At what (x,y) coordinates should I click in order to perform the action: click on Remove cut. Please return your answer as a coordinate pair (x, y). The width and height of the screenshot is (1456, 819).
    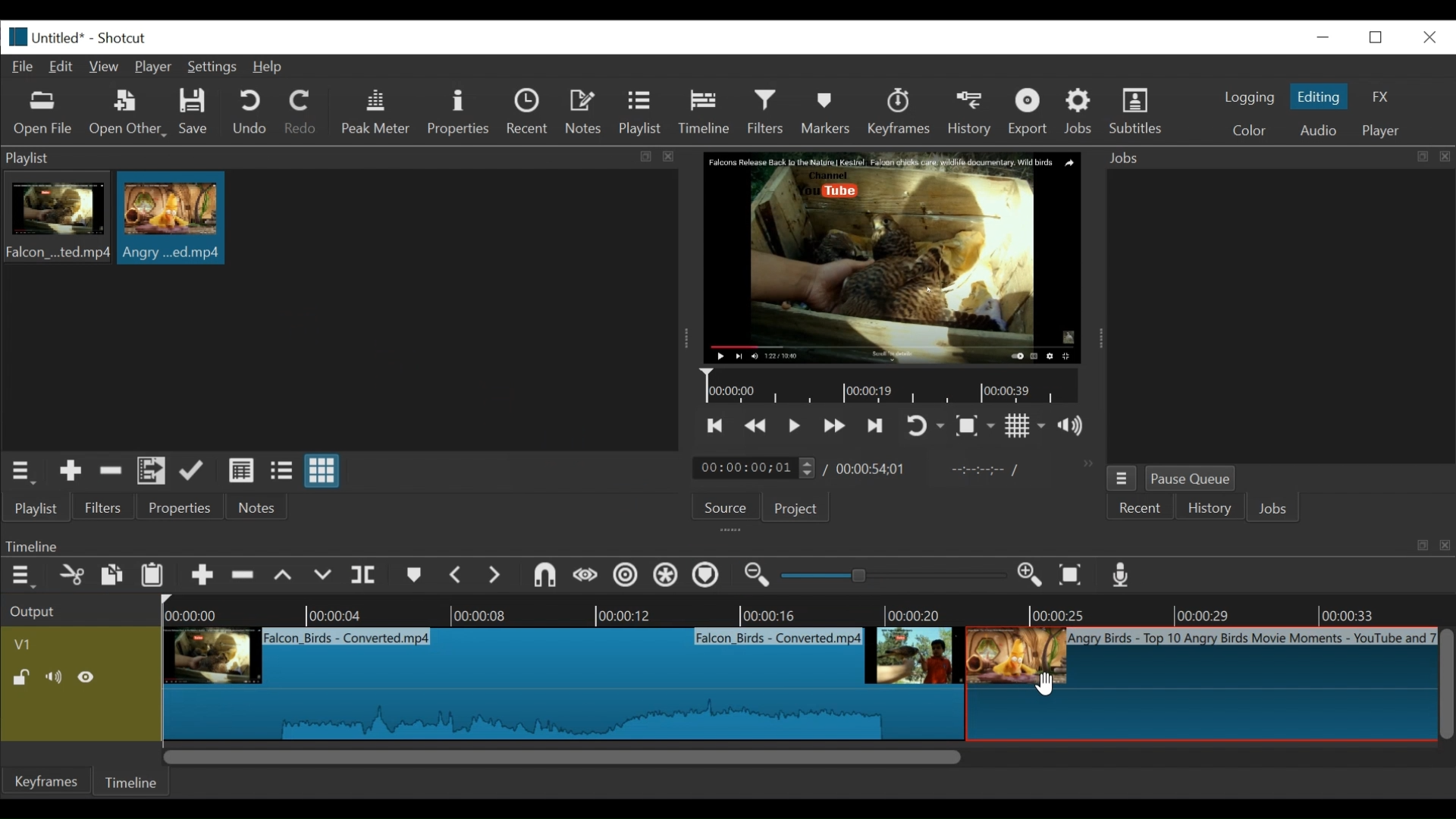
    Looking at the image, I should click on (111, 473).